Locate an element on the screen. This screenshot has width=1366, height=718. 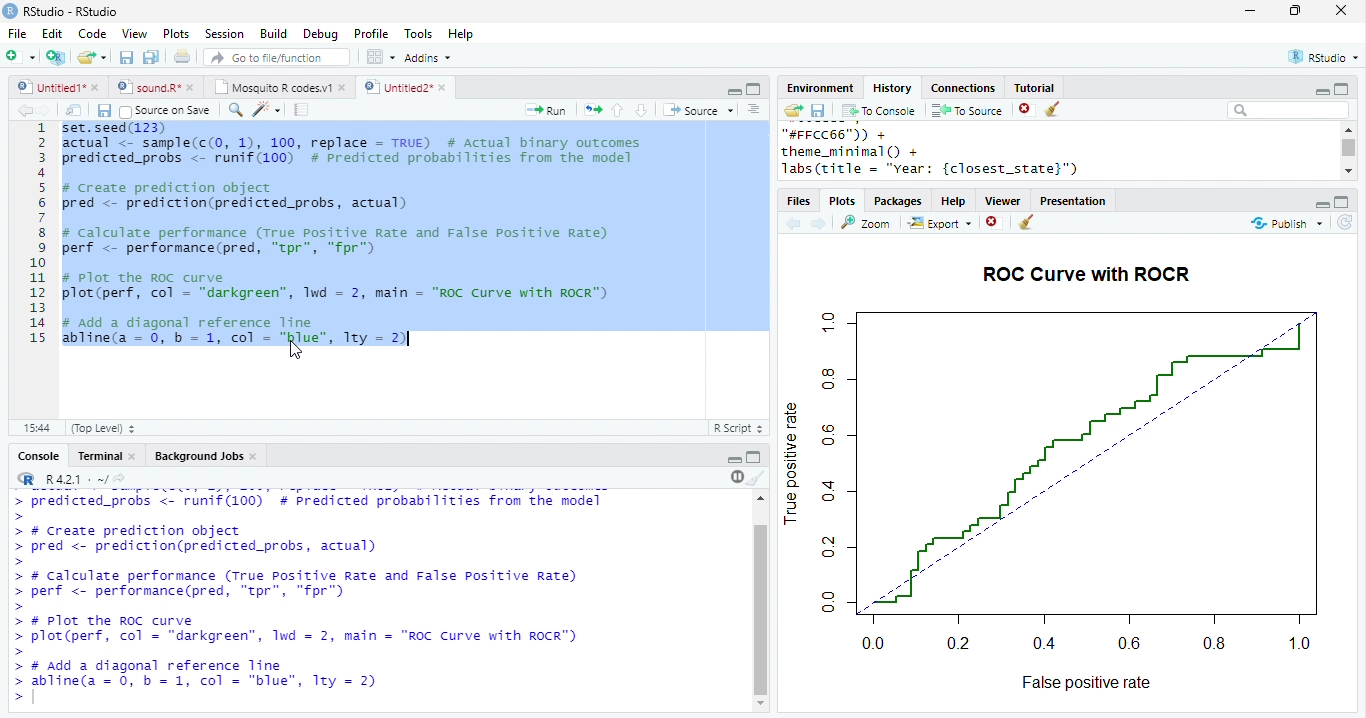
search bar is located at coordinates (1288, 109).